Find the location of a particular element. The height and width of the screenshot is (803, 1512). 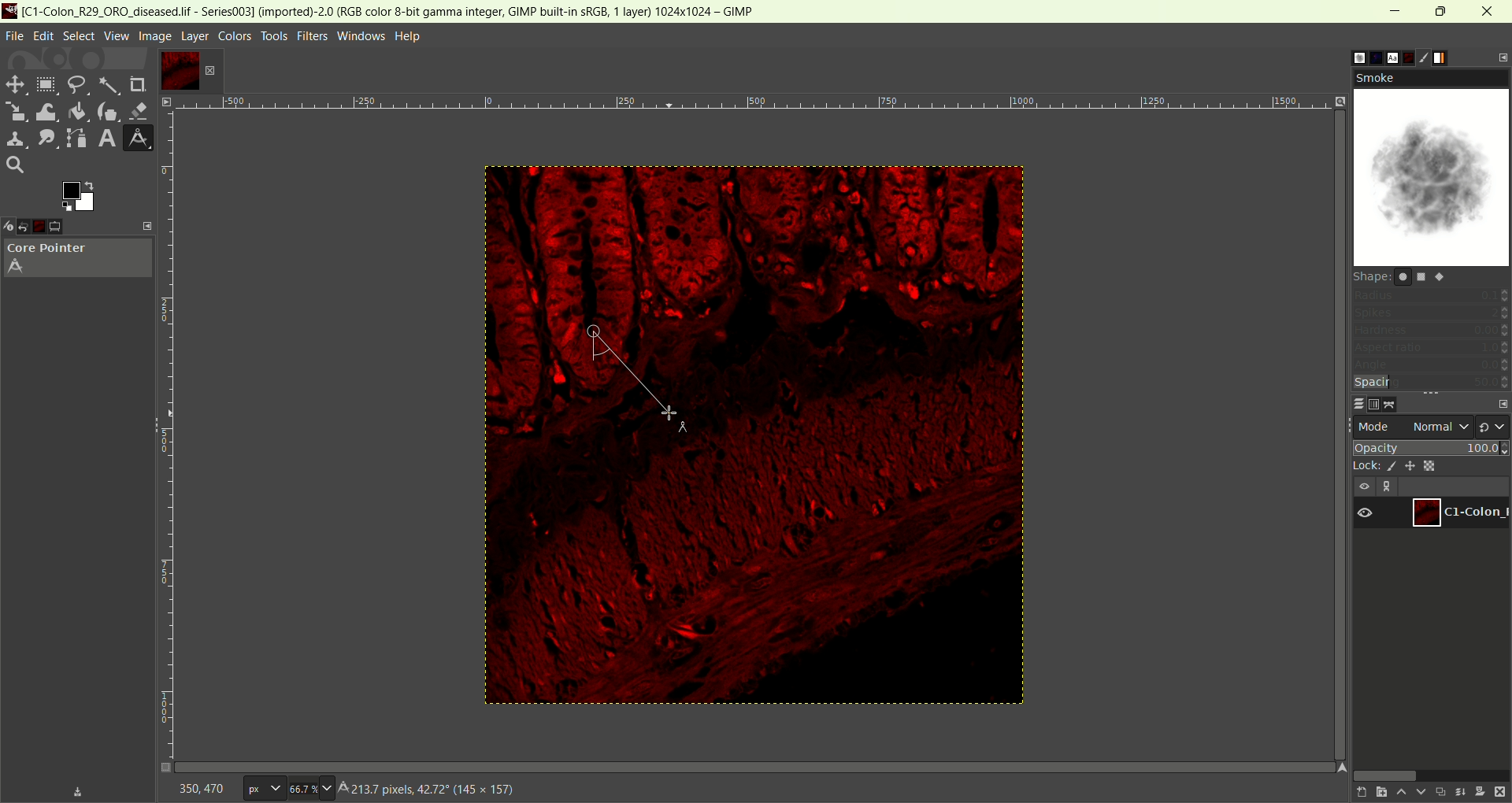

smoke is located at coordinates (1431, 167).